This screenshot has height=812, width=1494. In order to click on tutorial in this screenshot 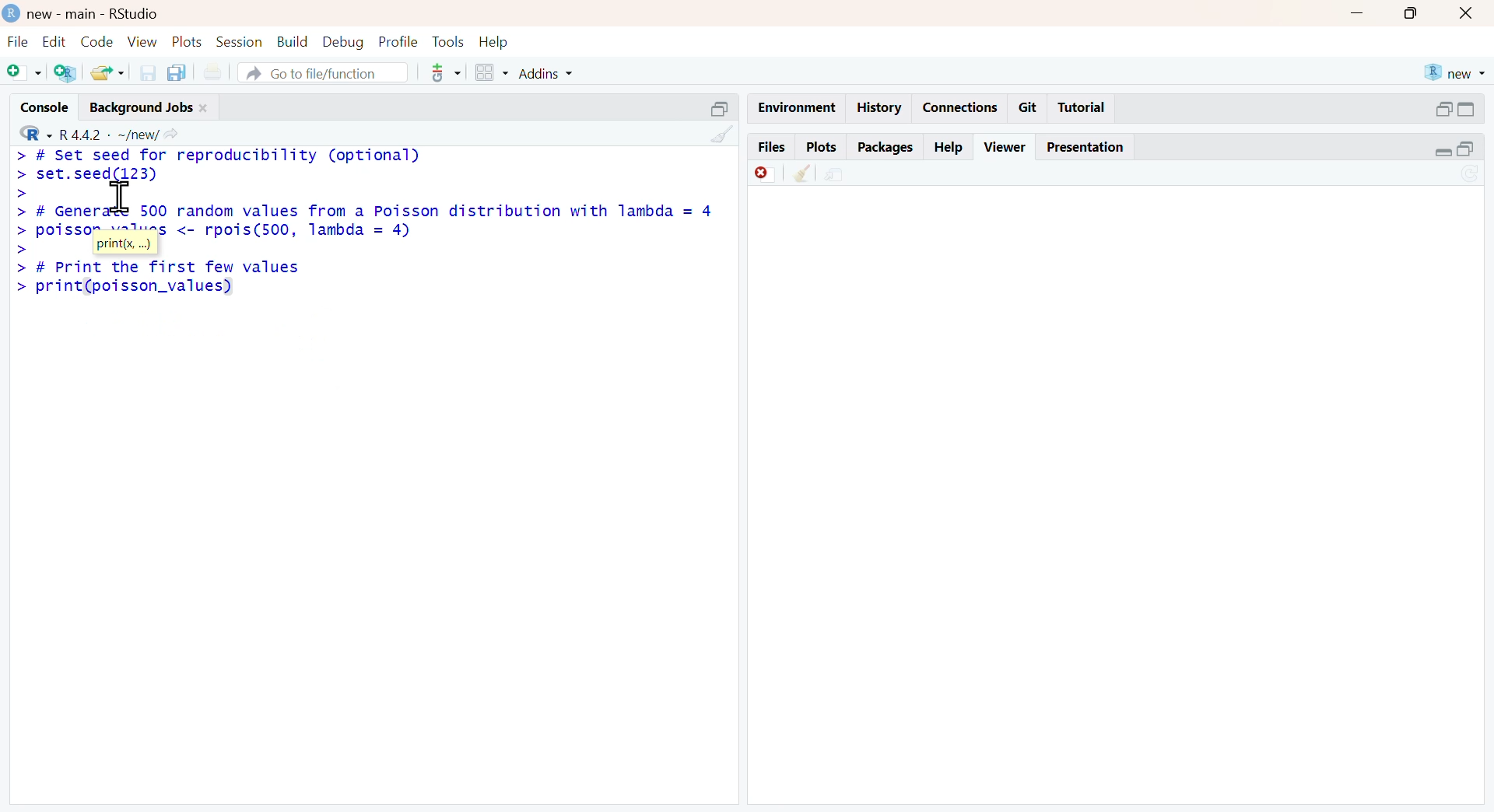, I will do `click(1082, 108)`.